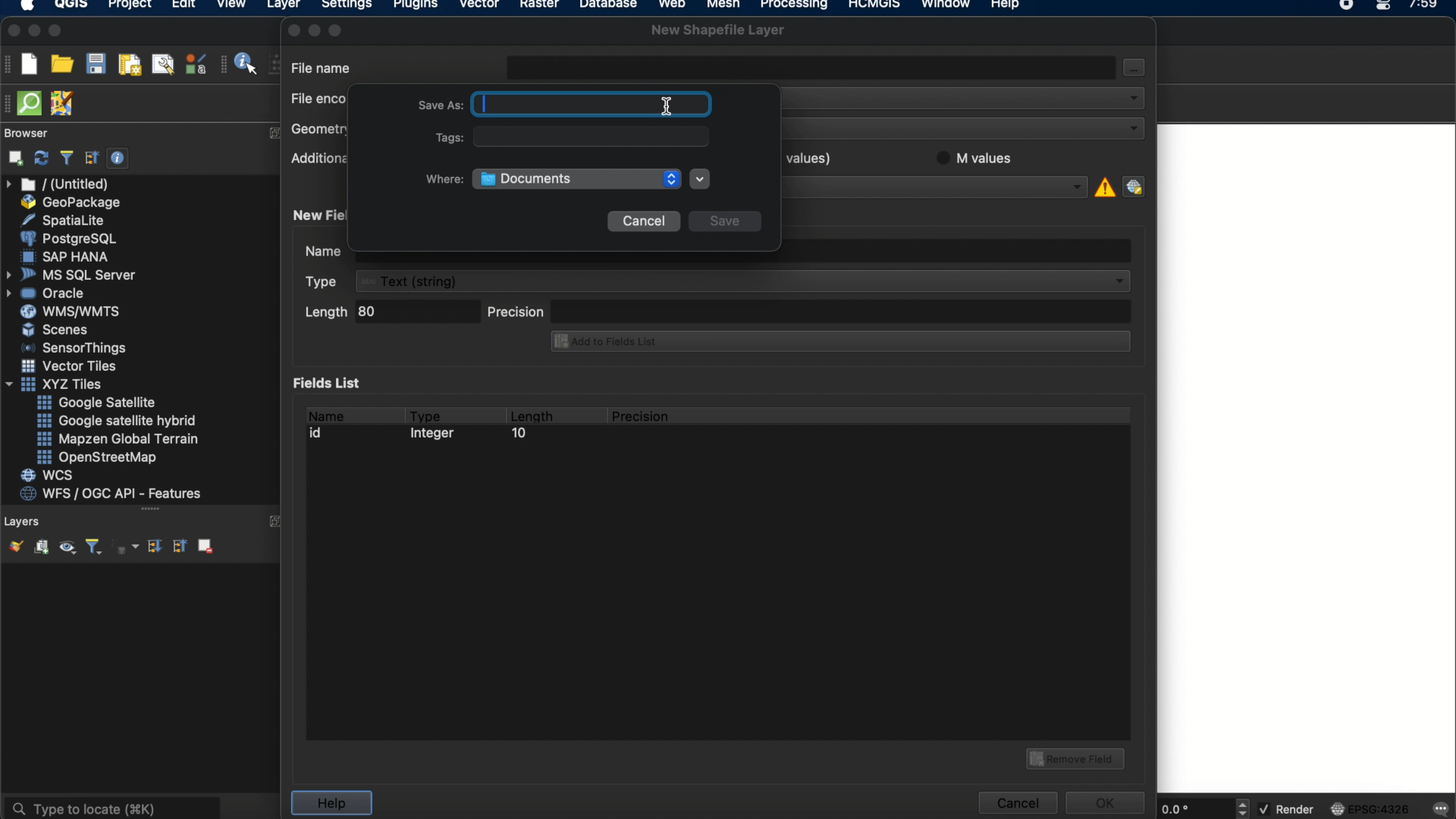 This screenshot has width=1456, height=819. I want to click on file name, so click(322, 67).